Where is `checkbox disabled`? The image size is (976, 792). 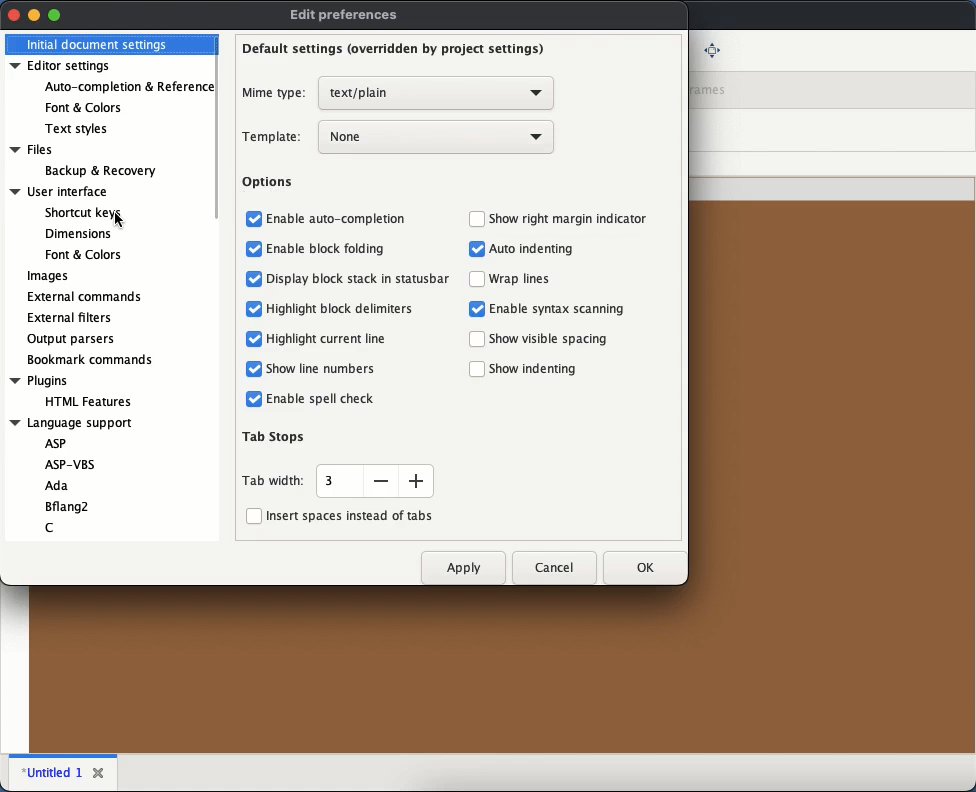 checkbox disabled is located at coordinates (477, 278).